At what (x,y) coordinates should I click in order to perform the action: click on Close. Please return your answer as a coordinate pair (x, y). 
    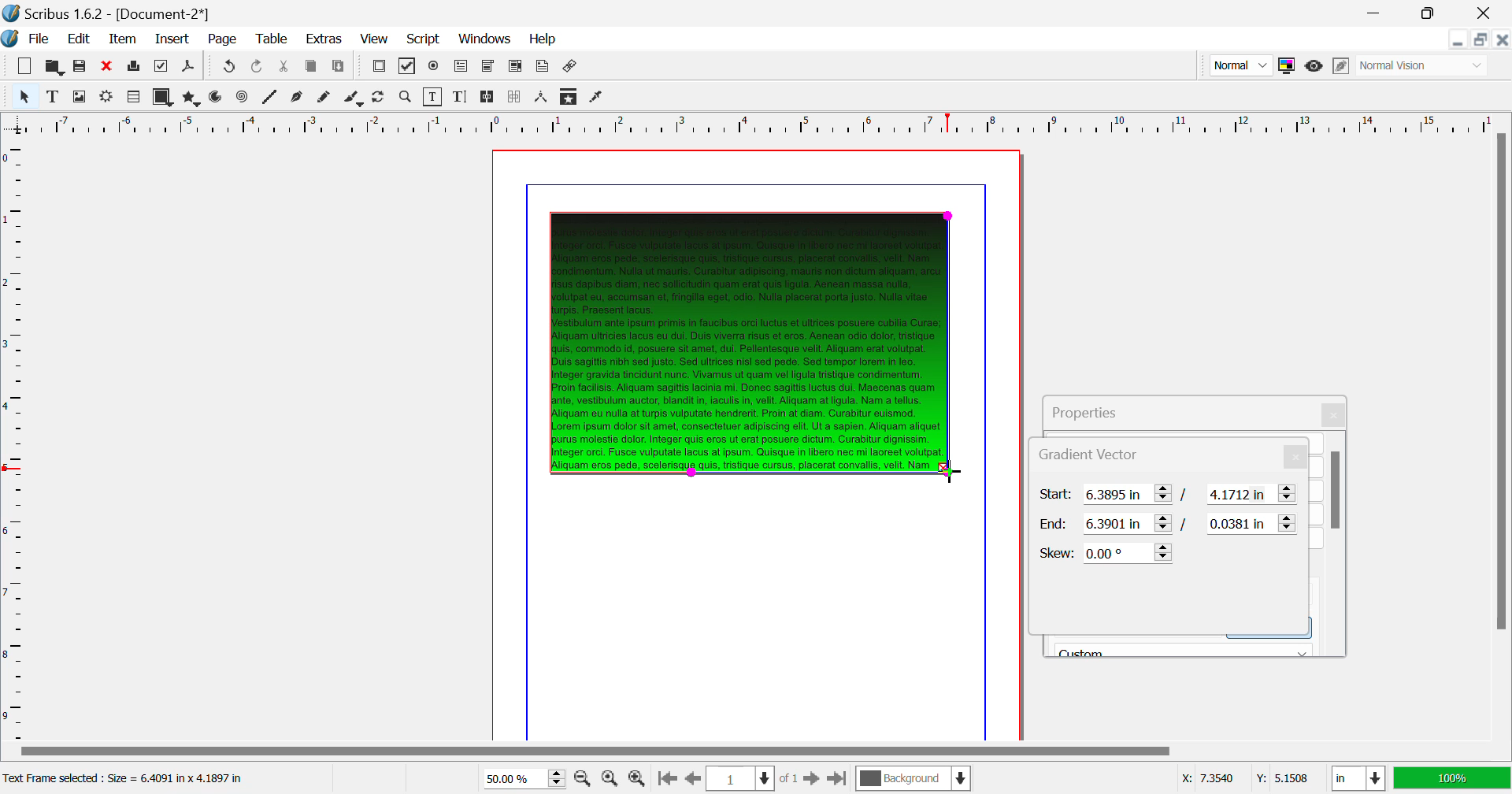
    Looking at the image, I should click on (1503, 39).